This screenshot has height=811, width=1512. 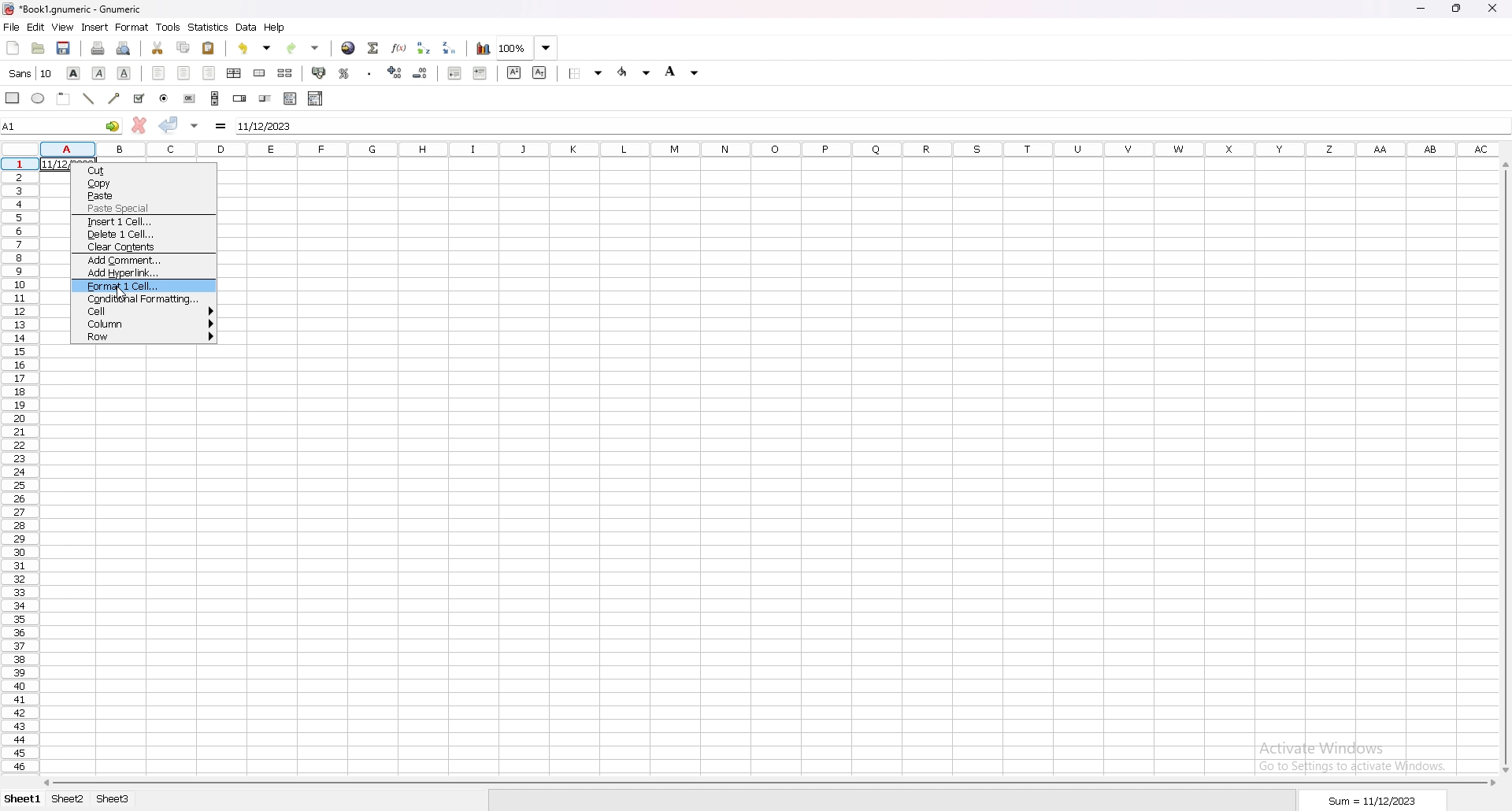 I want to click on summation, so click(x=374, y=47).